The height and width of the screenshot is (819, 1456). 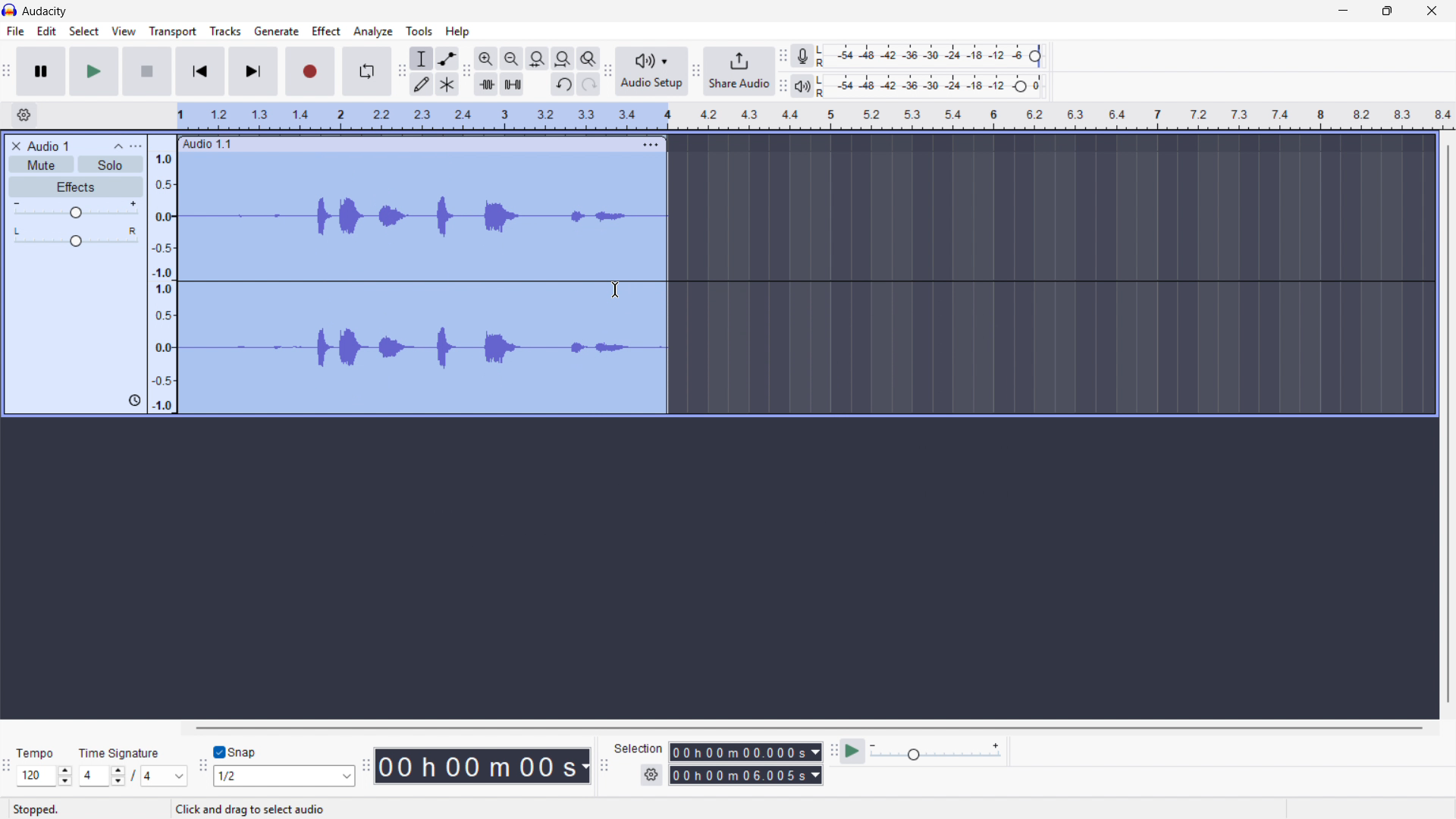 I want to click on stopped, so click(x=39, y=808).